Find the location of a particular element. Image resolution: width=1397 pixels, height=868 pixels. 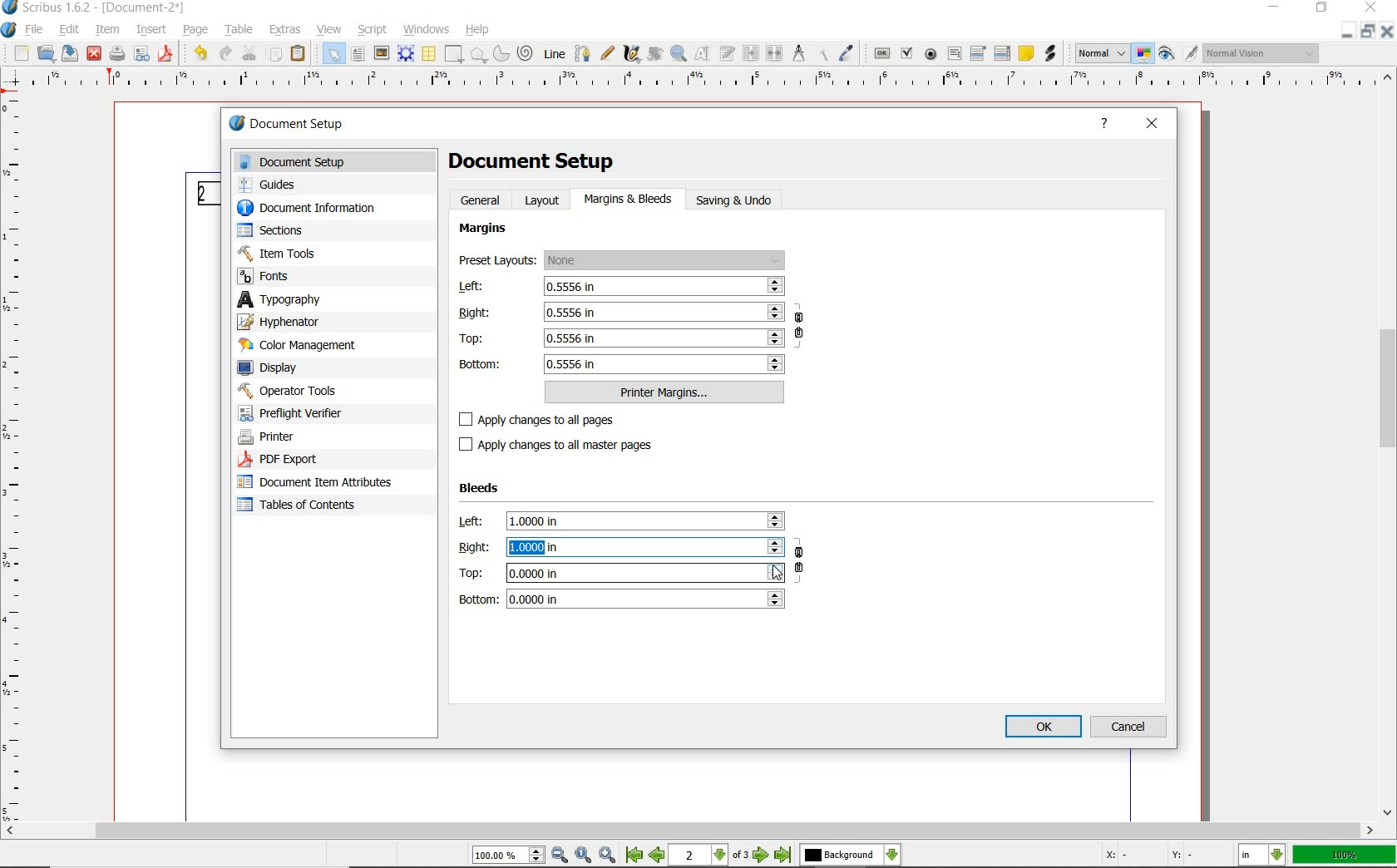

render frame is located at coordinates (406, 52).